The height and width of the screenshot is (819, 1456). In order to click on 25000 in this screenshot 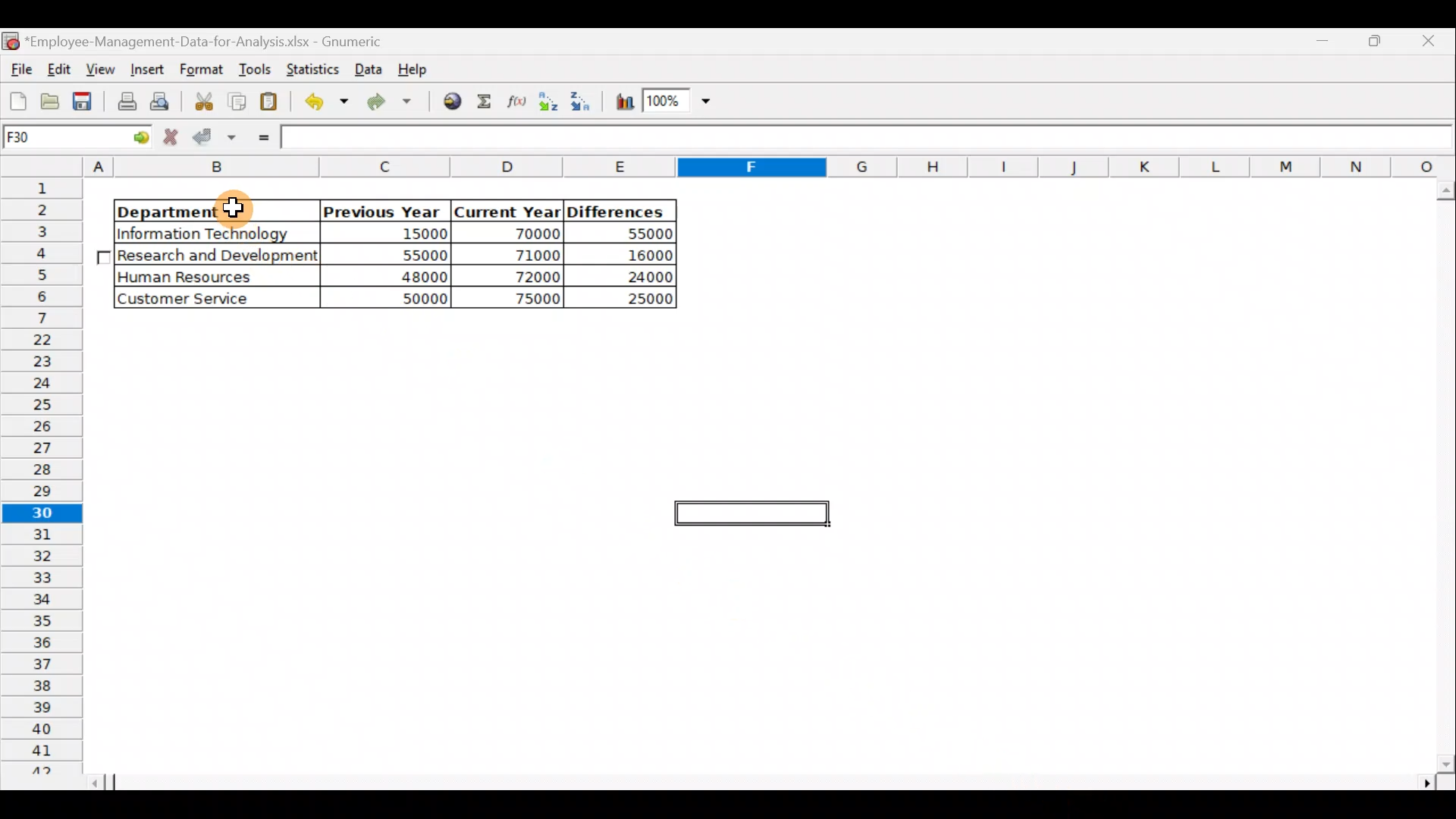, I will do `click(632, 300)`.